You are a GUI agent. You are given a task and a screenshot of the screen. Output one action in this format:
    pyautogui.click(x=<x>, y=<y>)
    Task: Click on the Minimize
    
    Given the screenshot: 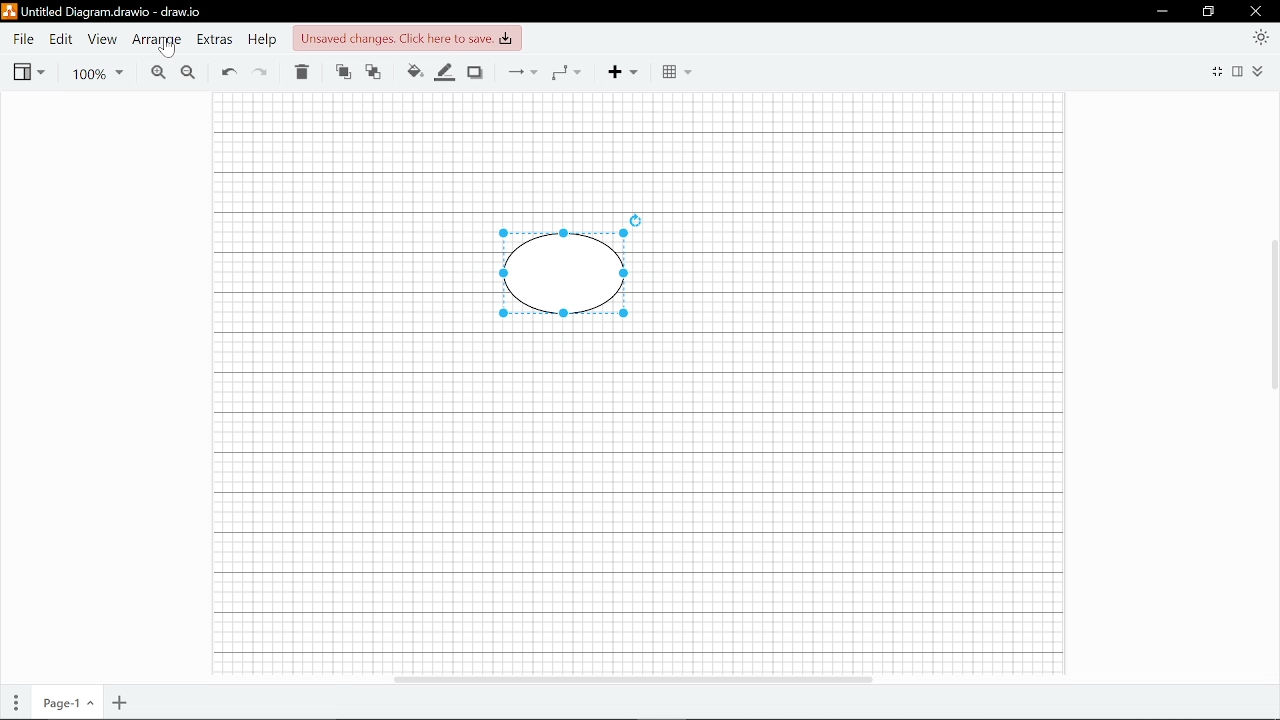 What is the action you would take?
    pyautogui.click(x=1162, y=12)
    